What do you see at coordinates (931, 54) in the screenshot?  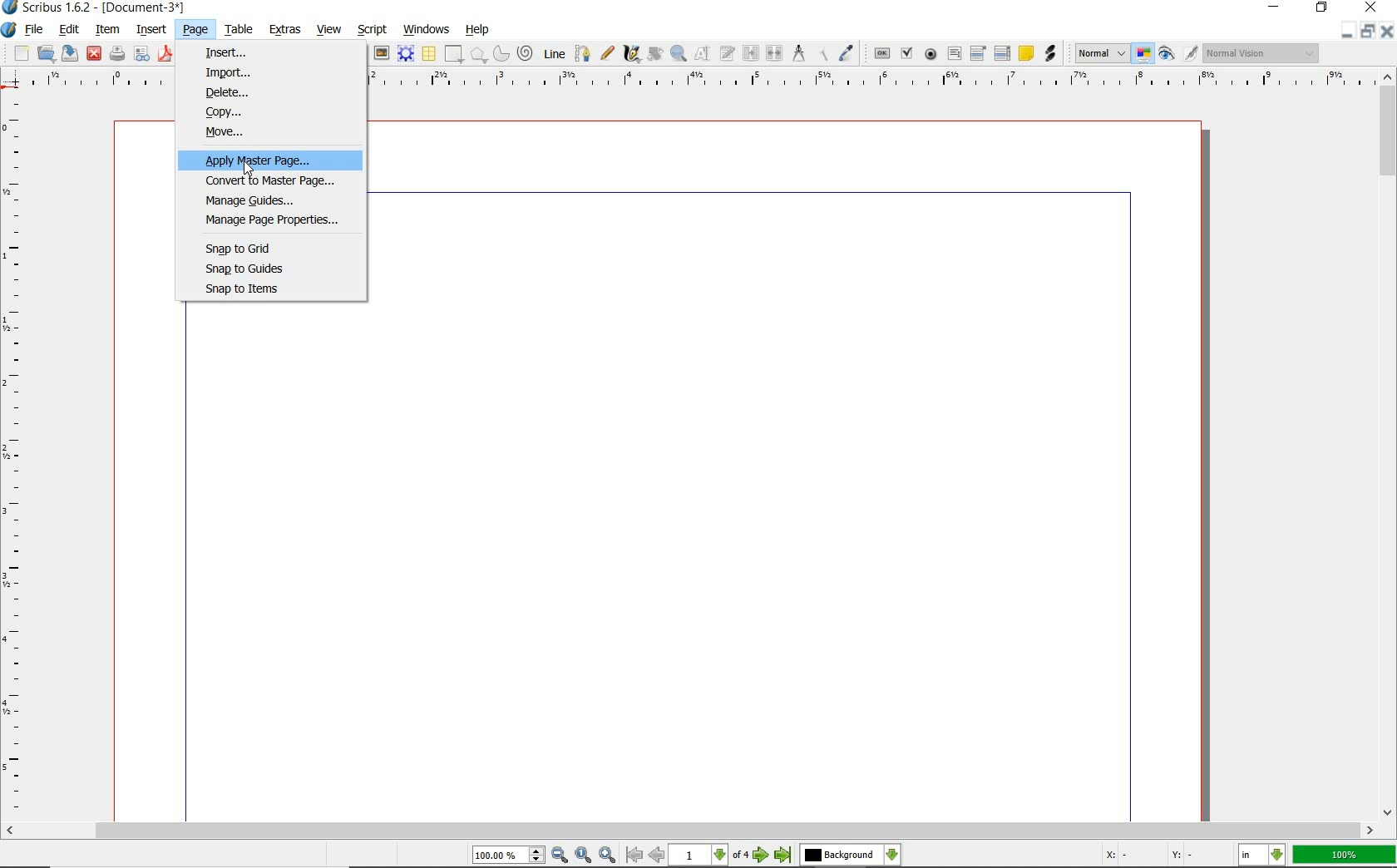 I see `pdf radio button` at bounding box center [931, 54].